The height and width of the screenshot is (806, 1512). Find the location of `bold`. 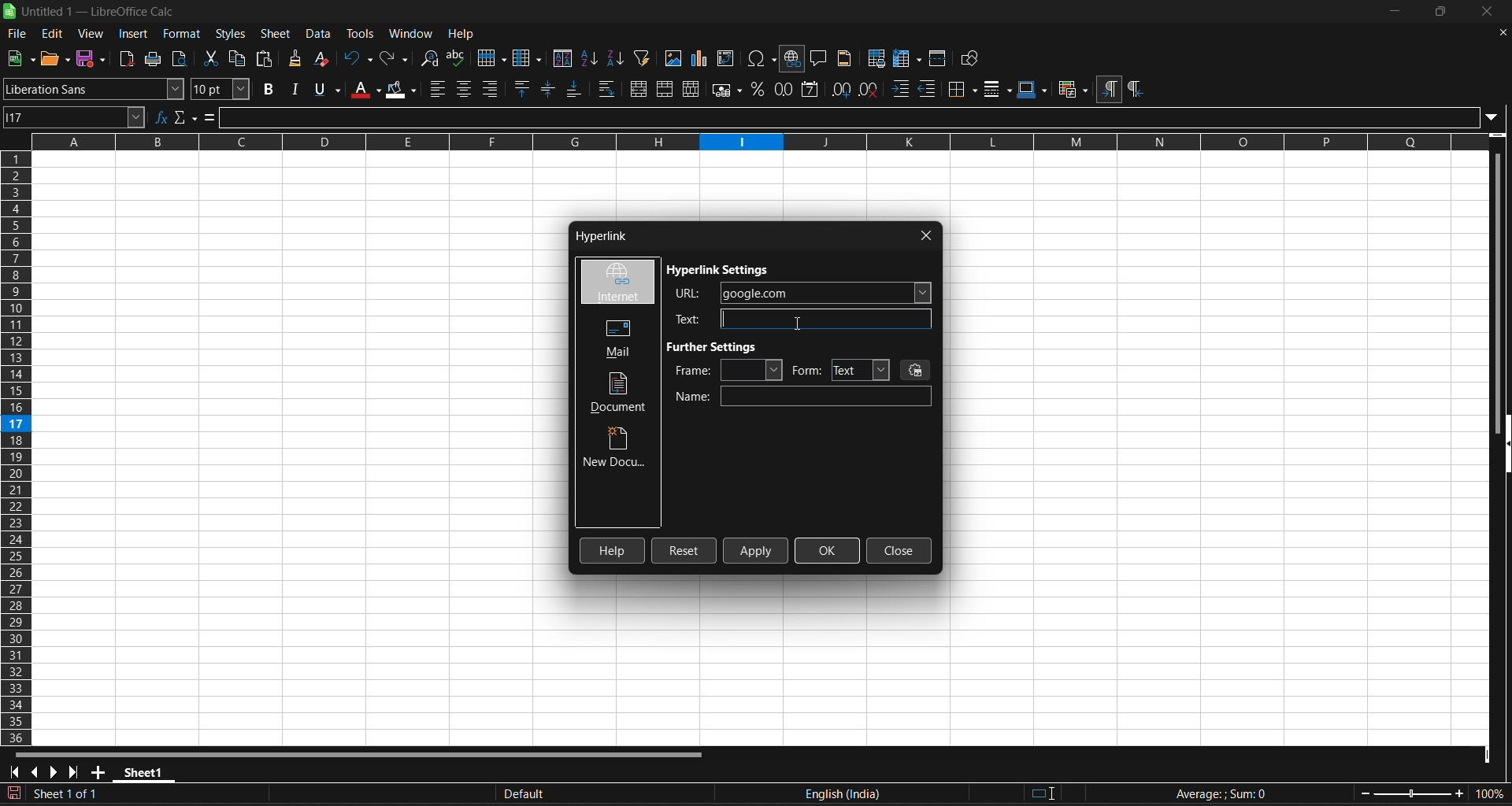

bold is located at coordinates (269, 89).